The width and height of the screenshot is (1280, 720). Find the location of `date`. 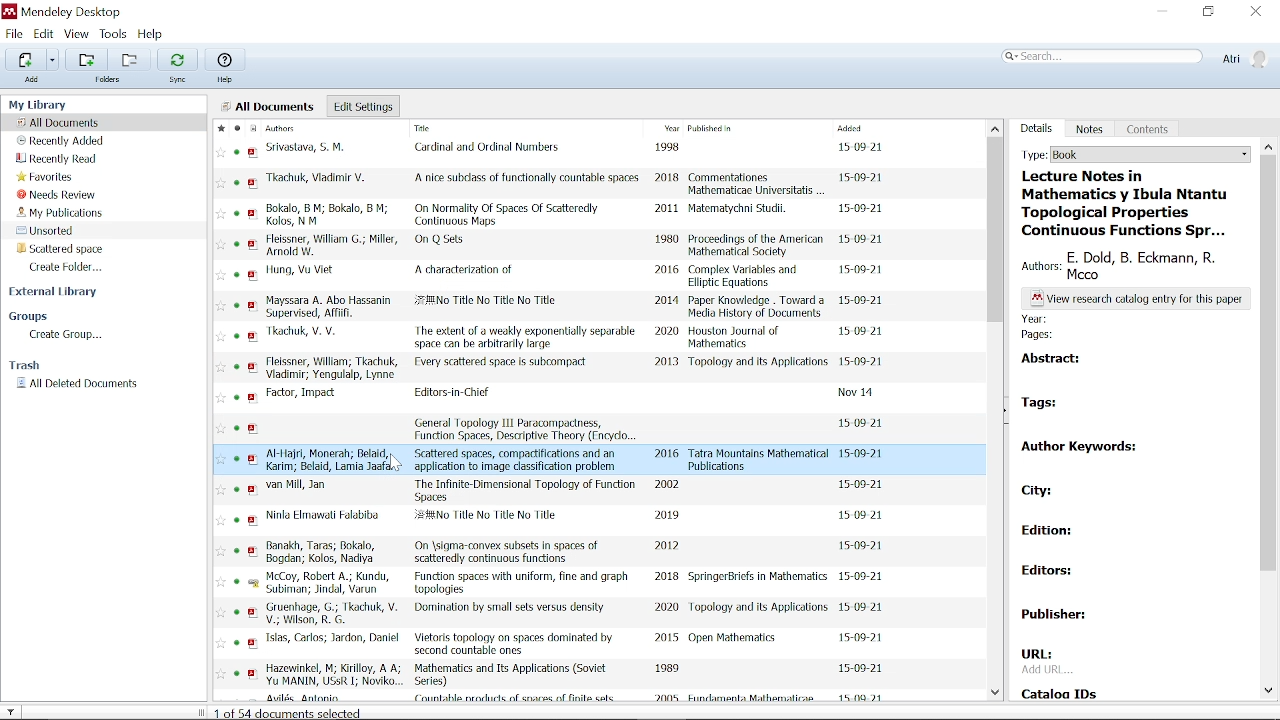

date is located at coordinates (864, 362).